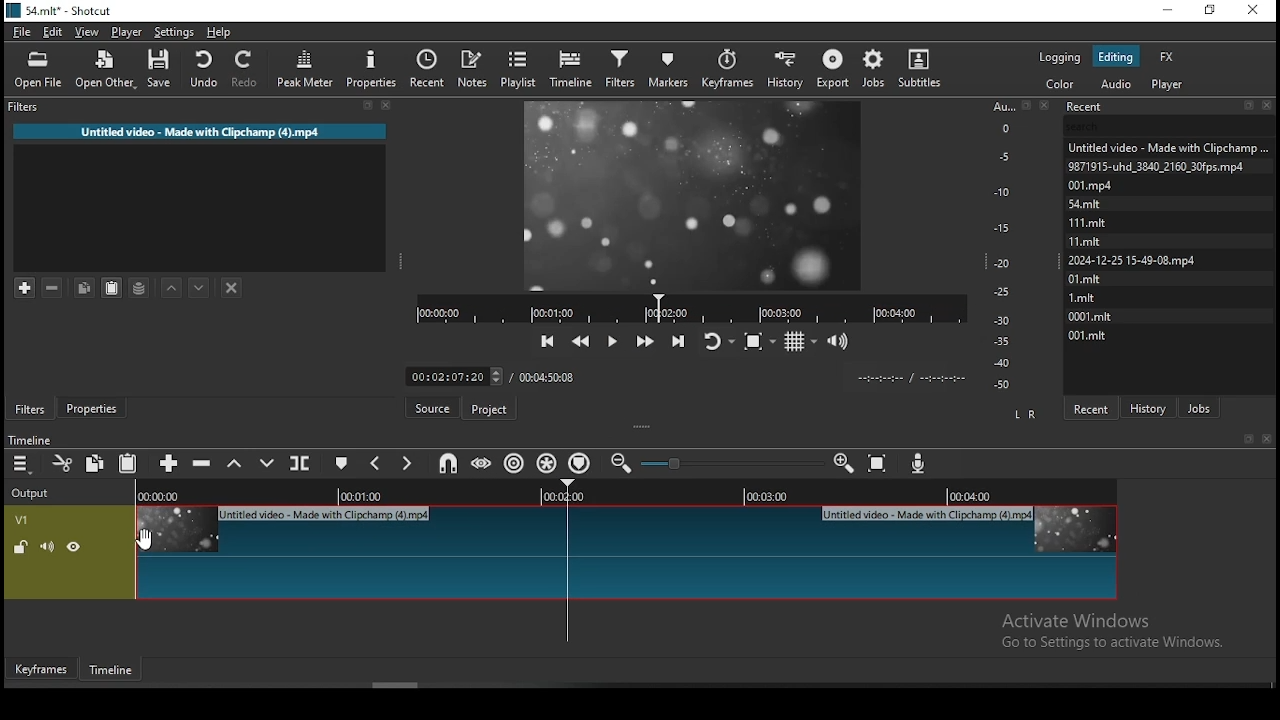 This screenshot has height=720, width=1280. I want to click on toggle zoom, so click(759, 343).